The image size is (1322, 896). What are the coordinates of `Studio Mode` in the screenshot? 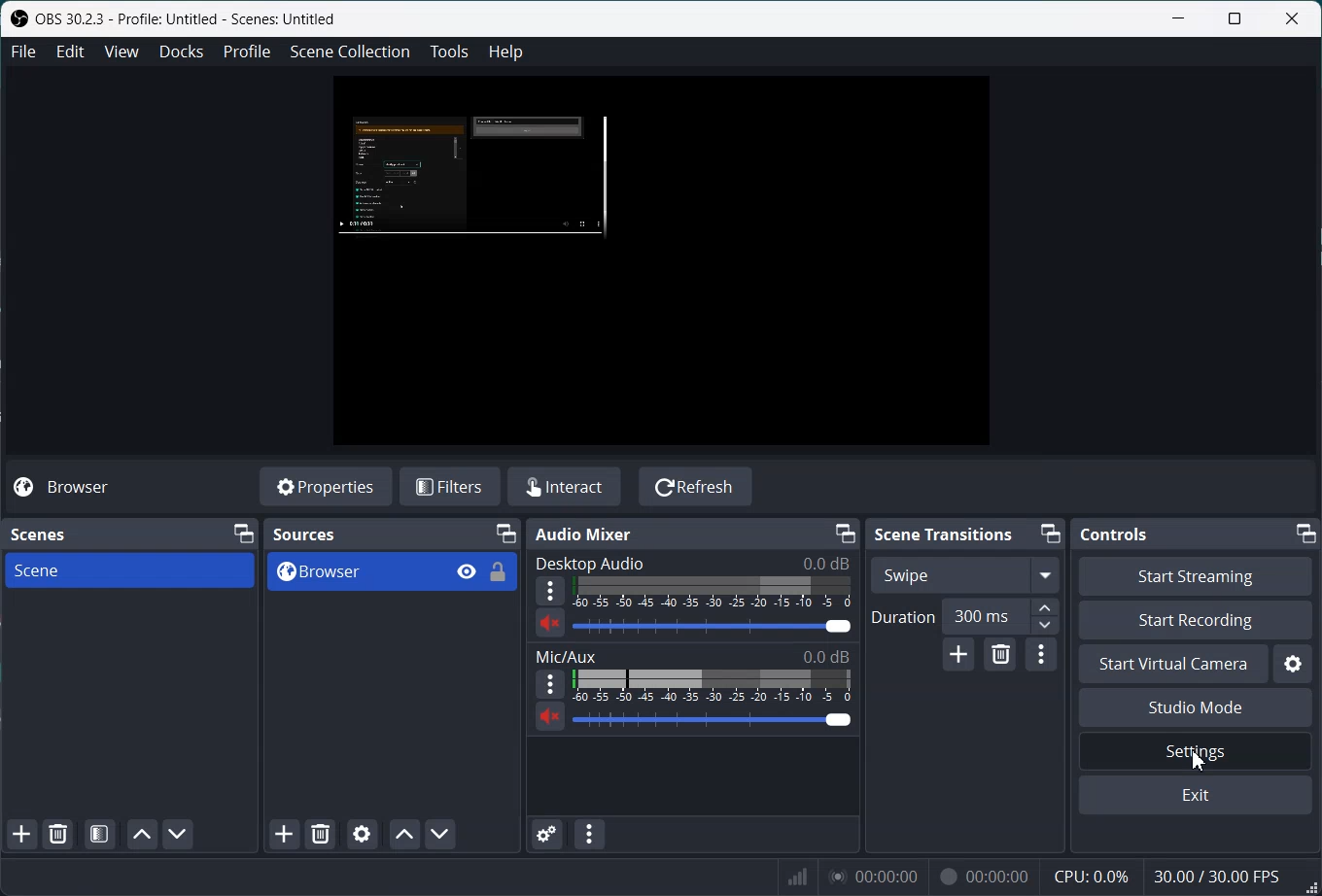 It's located at (1195, 707).